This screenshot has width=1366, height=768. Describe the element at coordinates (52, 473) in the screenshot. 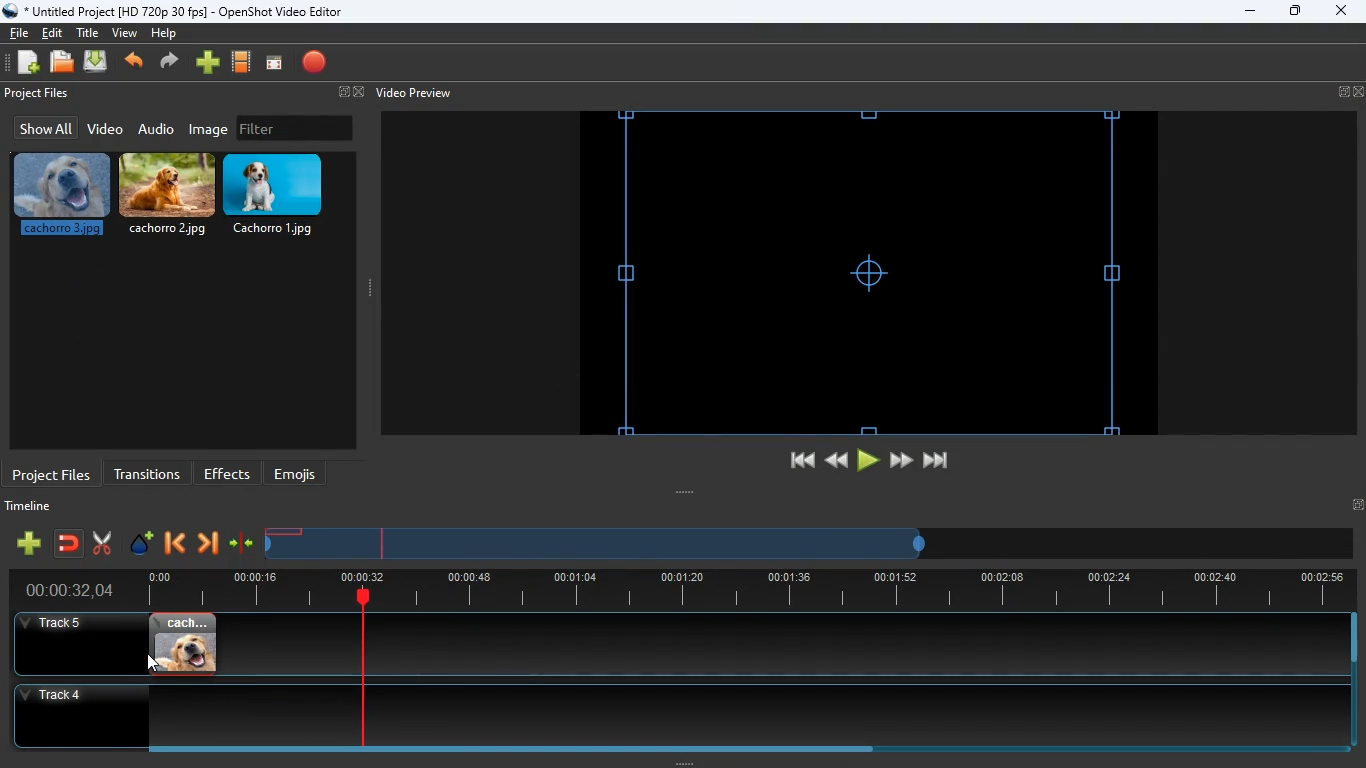

I see `project files` at that location.